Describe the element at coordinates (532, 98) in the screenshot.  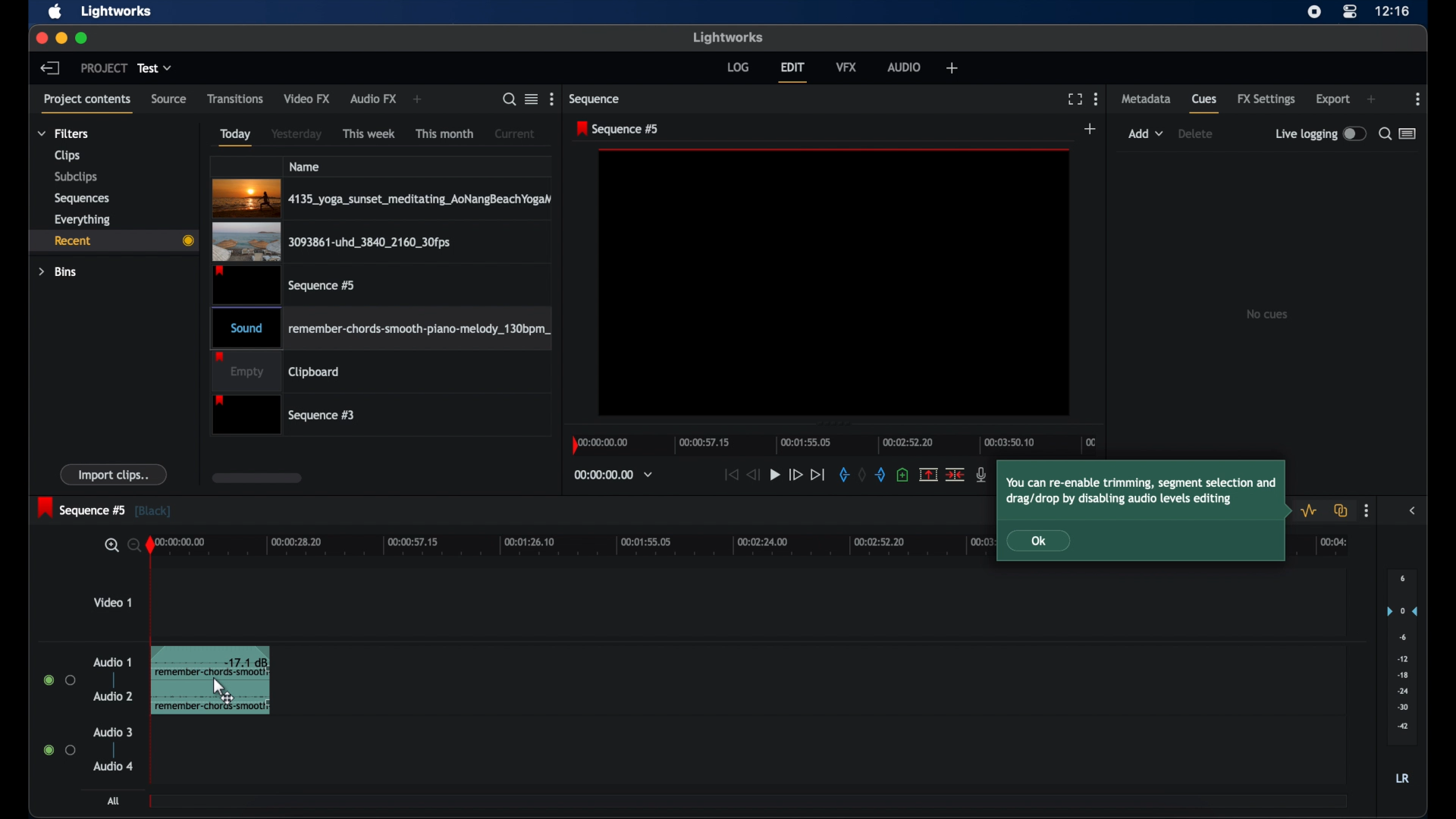
I see `toggle list or tile view` at that location.